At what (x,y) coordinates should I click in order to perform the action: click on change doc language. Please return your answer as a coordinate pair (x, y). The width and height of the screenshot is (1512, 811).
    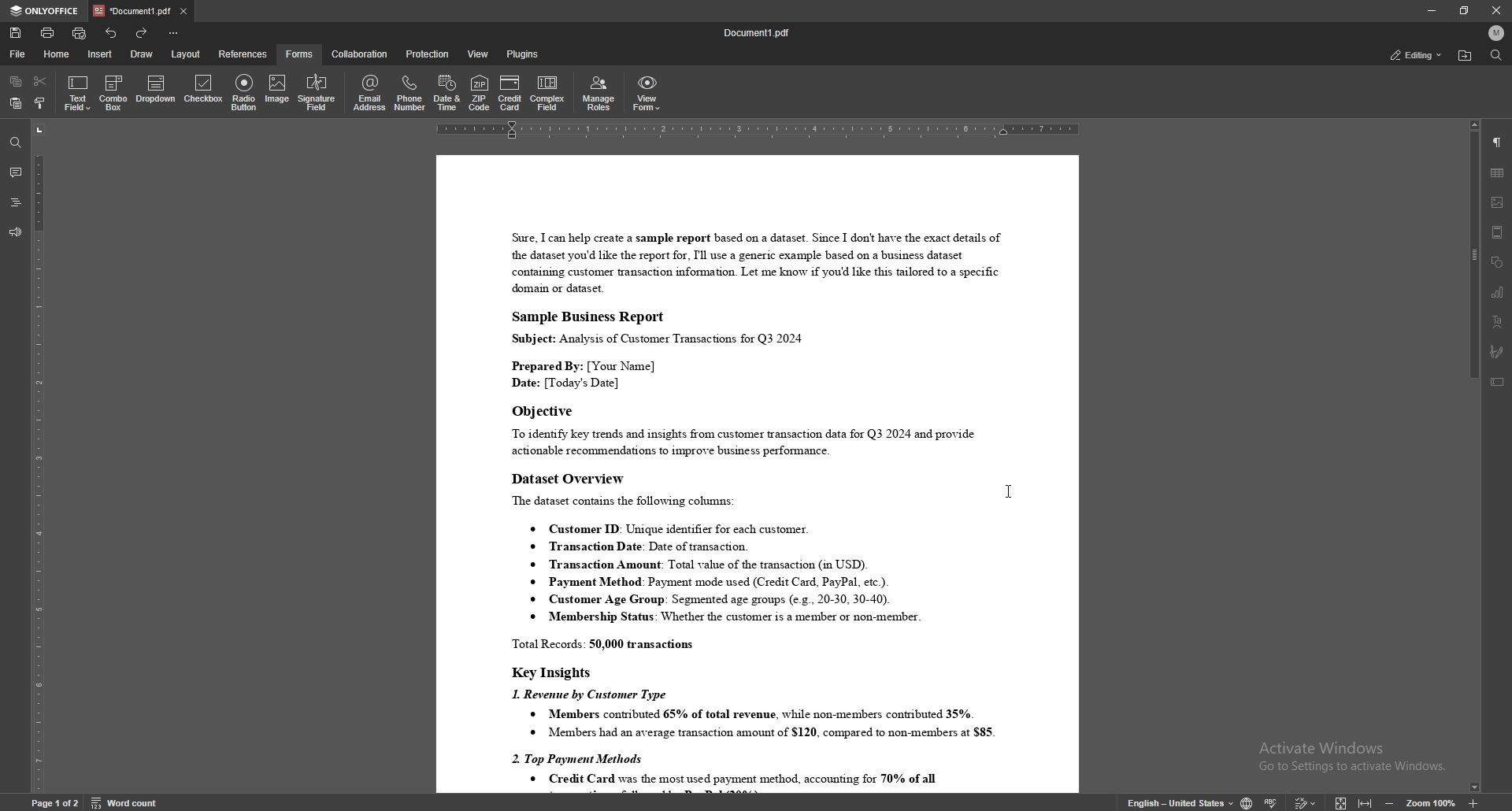
    Looking at the image, I should click on (1247, 802).